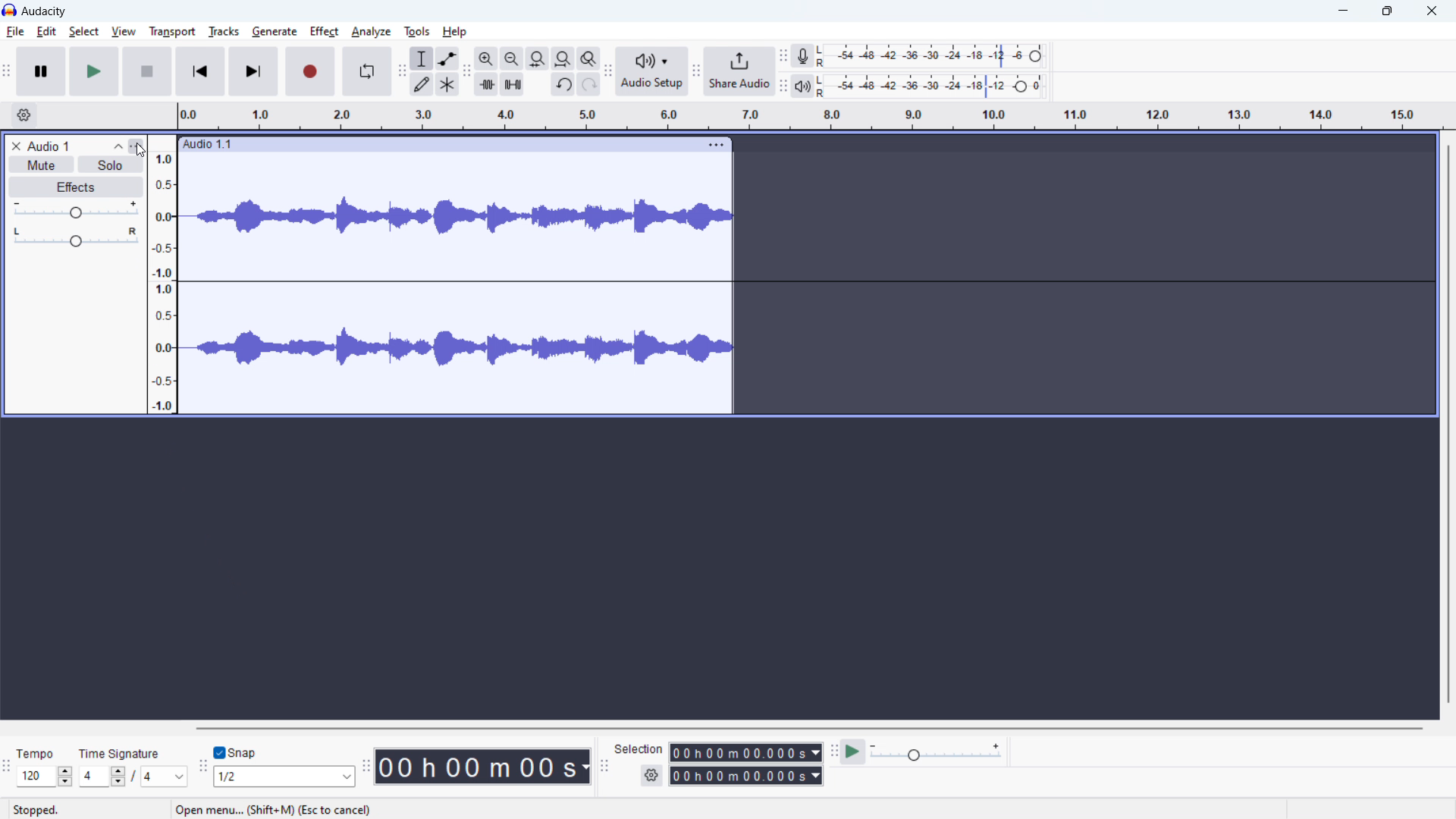 Image resolution: width=1456 pixels, height=819 pixels. I want to click on tempo, so click(49, 808).